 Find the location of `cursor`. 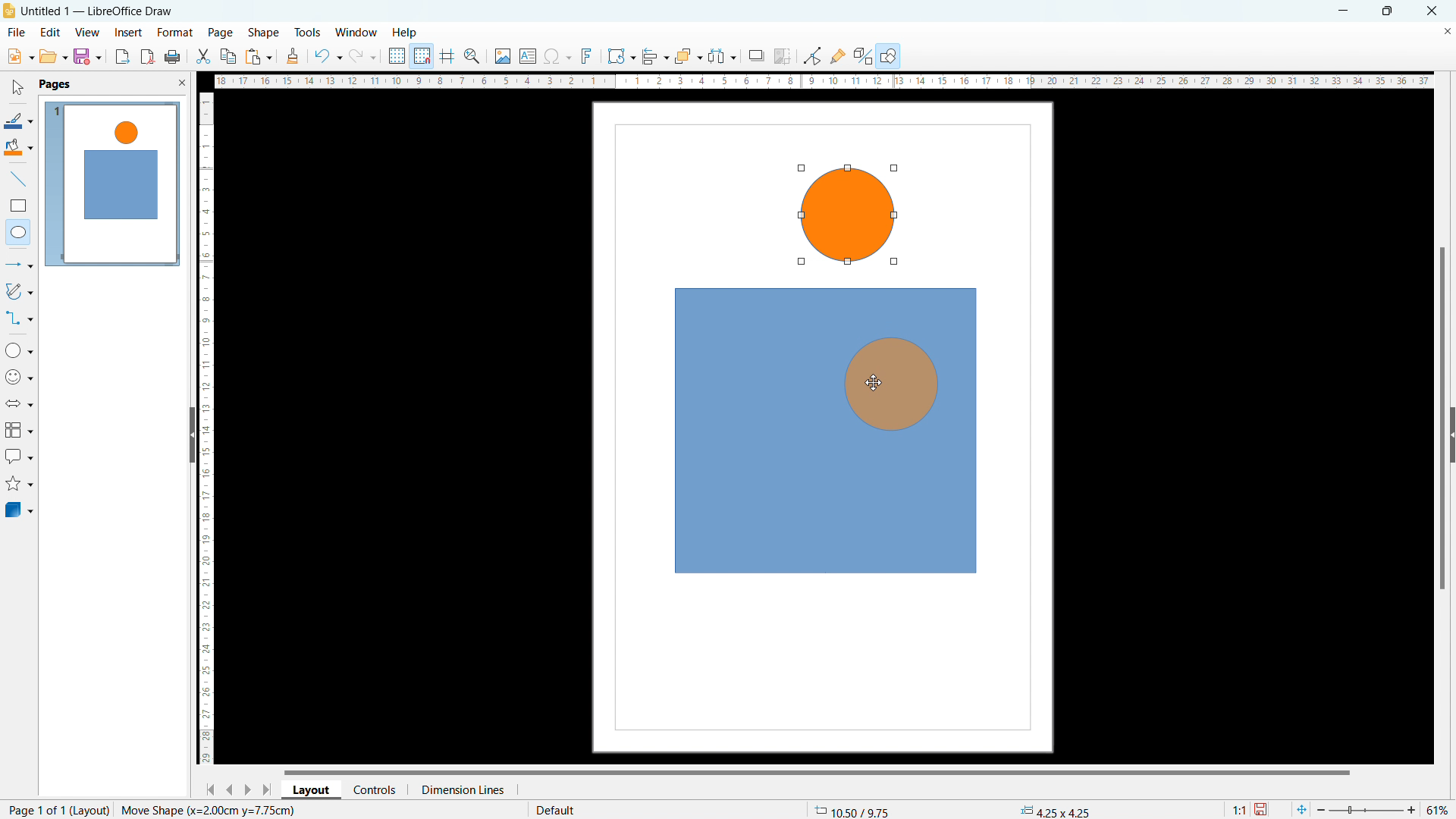

cursor is located at coordinates (874, 383).